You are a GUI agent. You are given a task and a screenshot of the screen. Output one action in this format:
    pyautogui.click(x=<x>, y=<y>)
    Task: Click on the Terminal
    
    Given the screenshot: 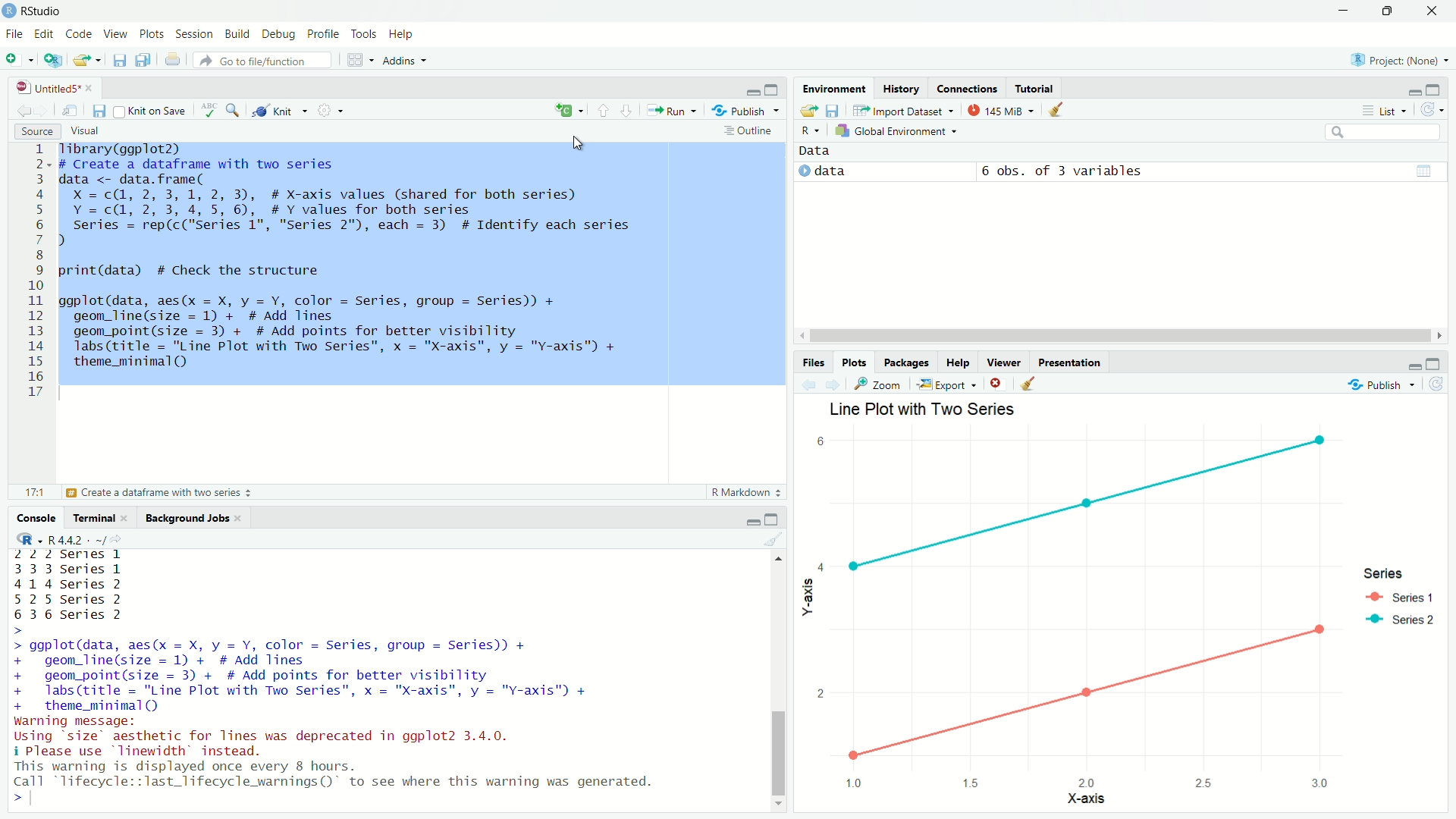 What is the action you would take?
    pyautogui.click(x=99, y=517)
    